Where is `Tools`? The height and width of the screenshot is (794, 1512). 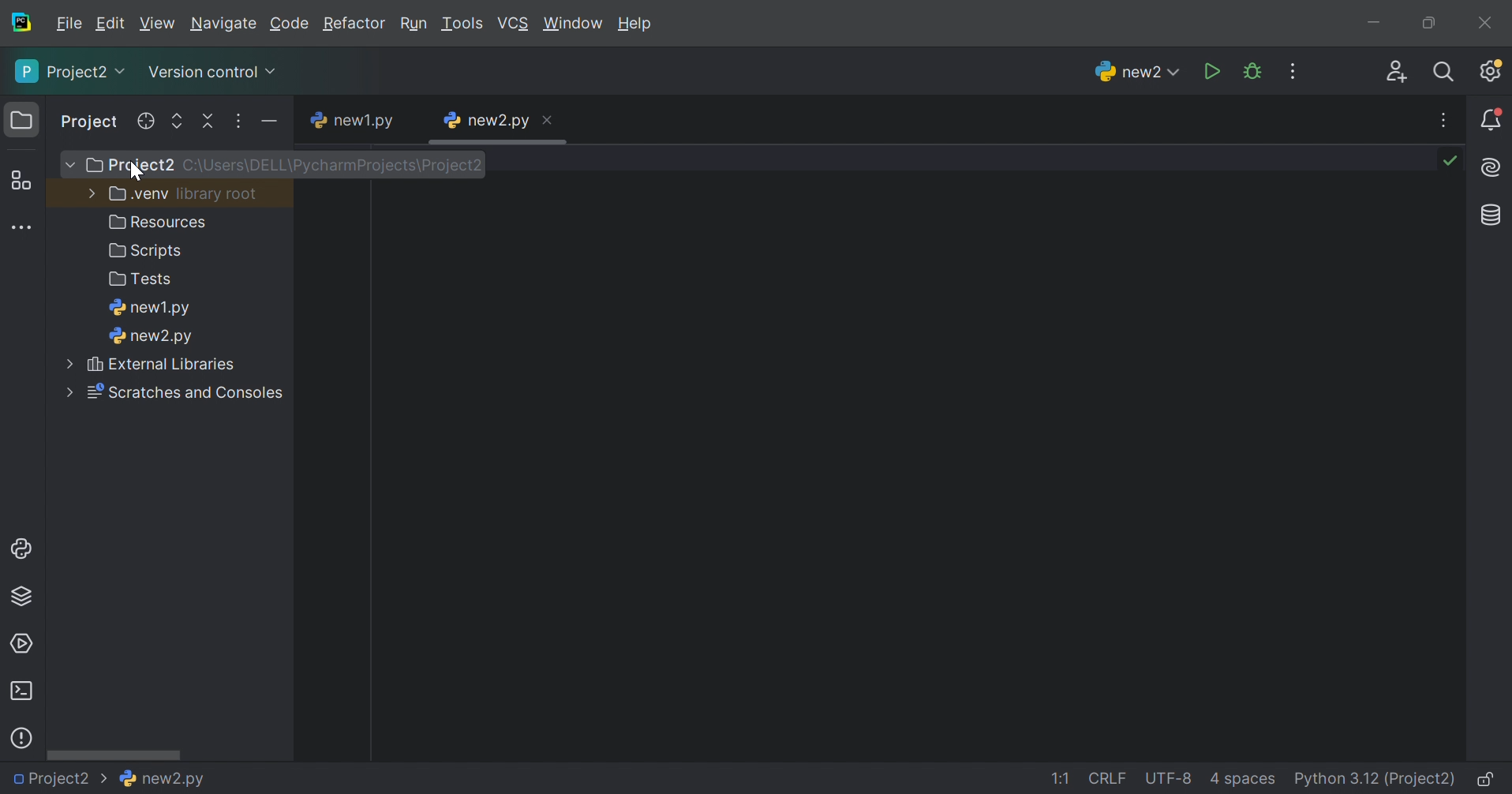
Tools is located at coordinates (462, 24).